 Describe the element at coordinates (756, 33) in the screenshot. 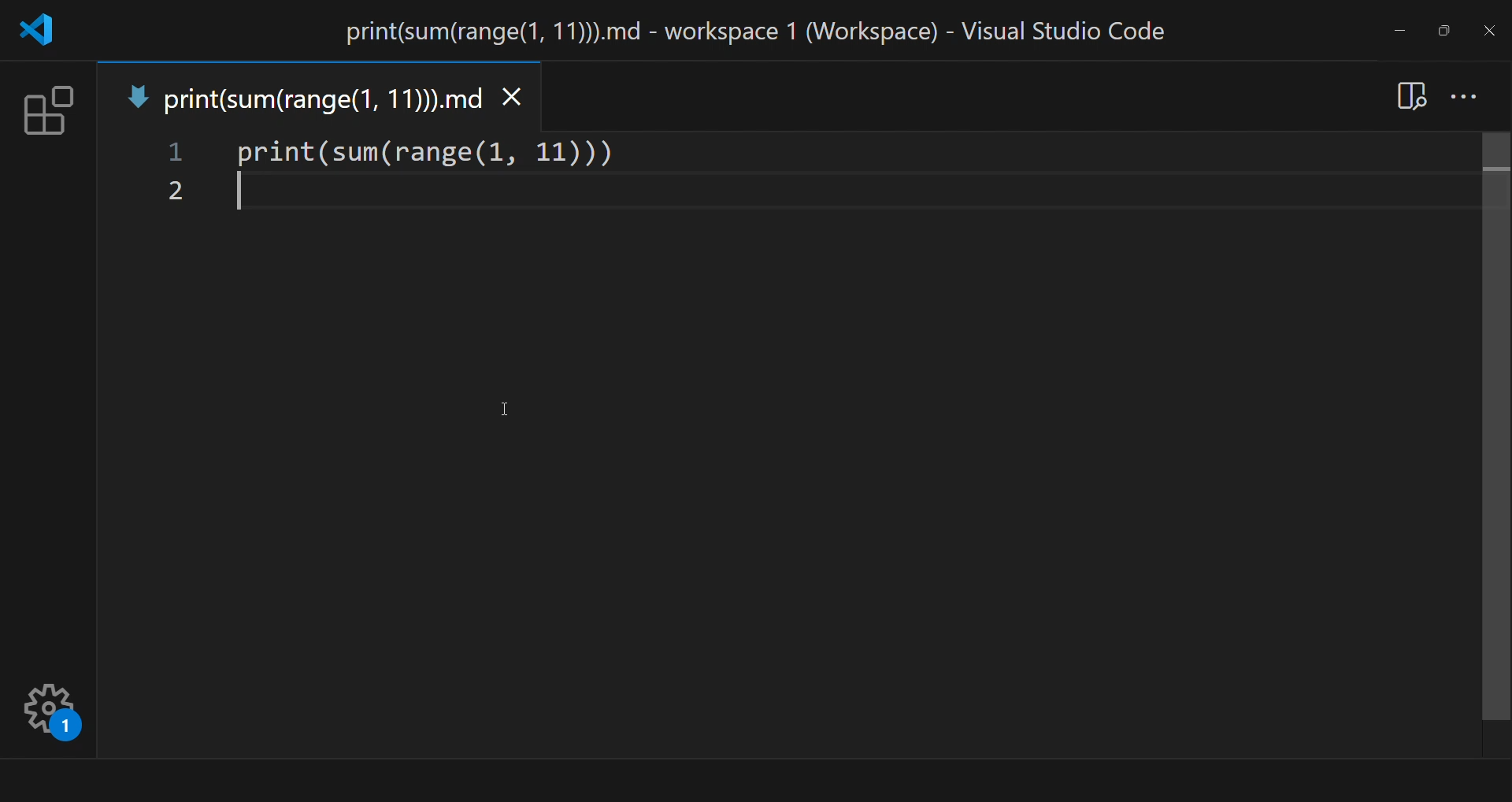

I see `title` at that location.